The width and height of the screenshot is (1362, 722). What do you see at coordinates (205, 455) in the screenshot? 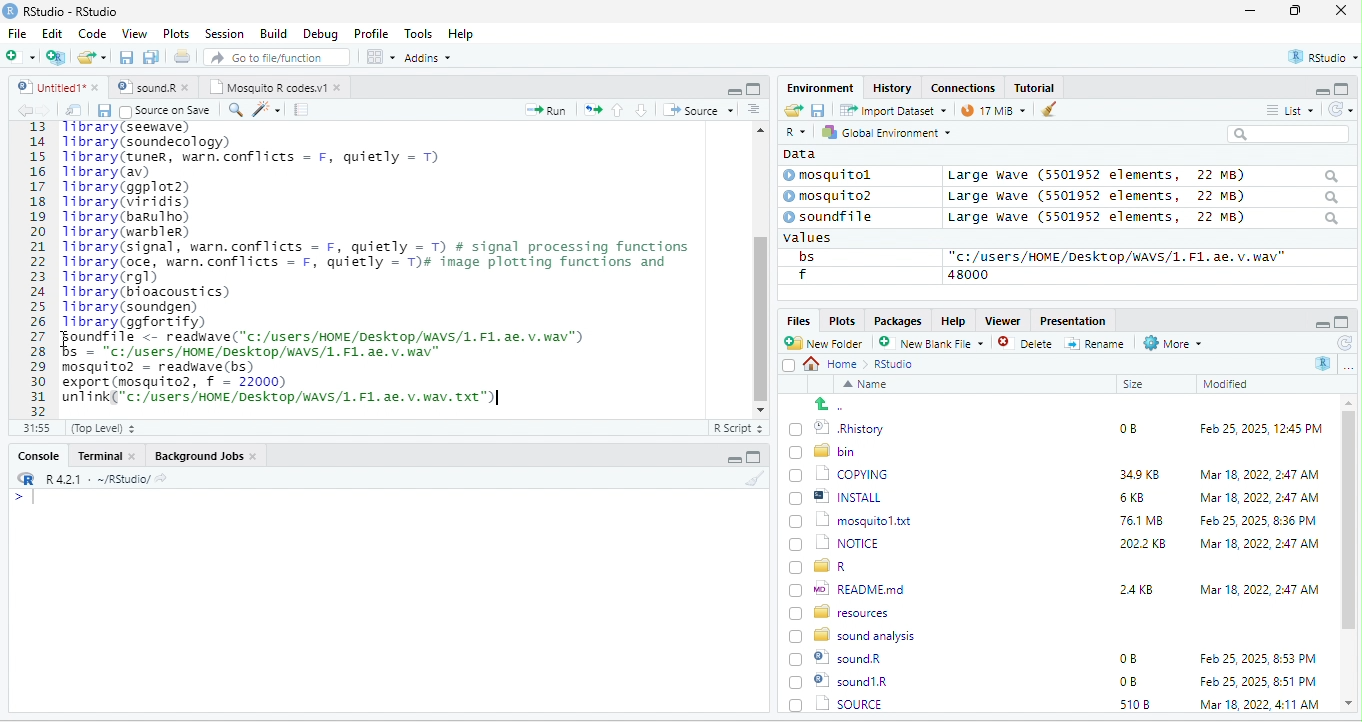
I see `Background Jobs` at bounding box center [205, 455].